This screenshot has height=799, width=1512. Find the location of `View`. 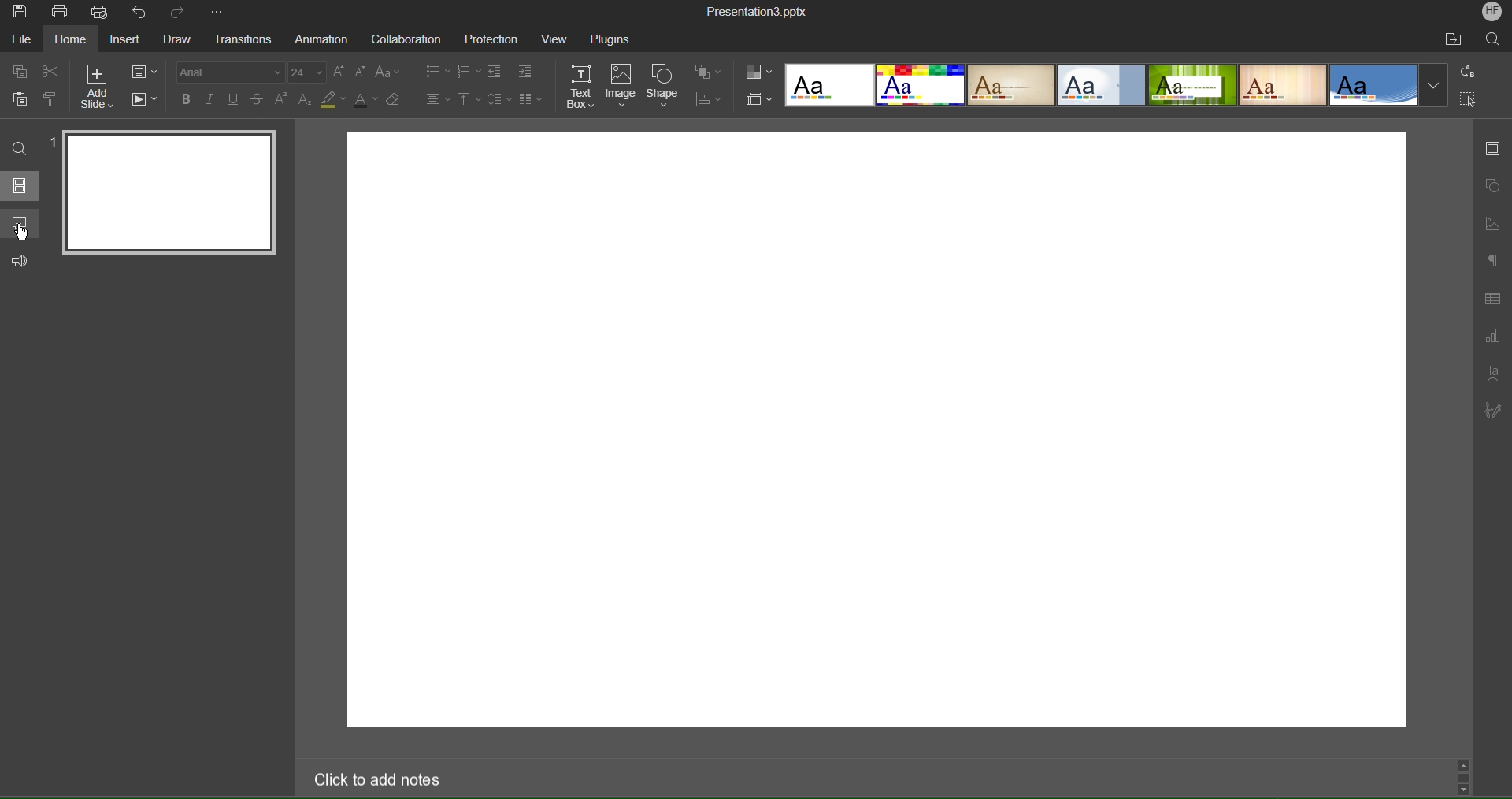

View is located at coordinates (558, 39).